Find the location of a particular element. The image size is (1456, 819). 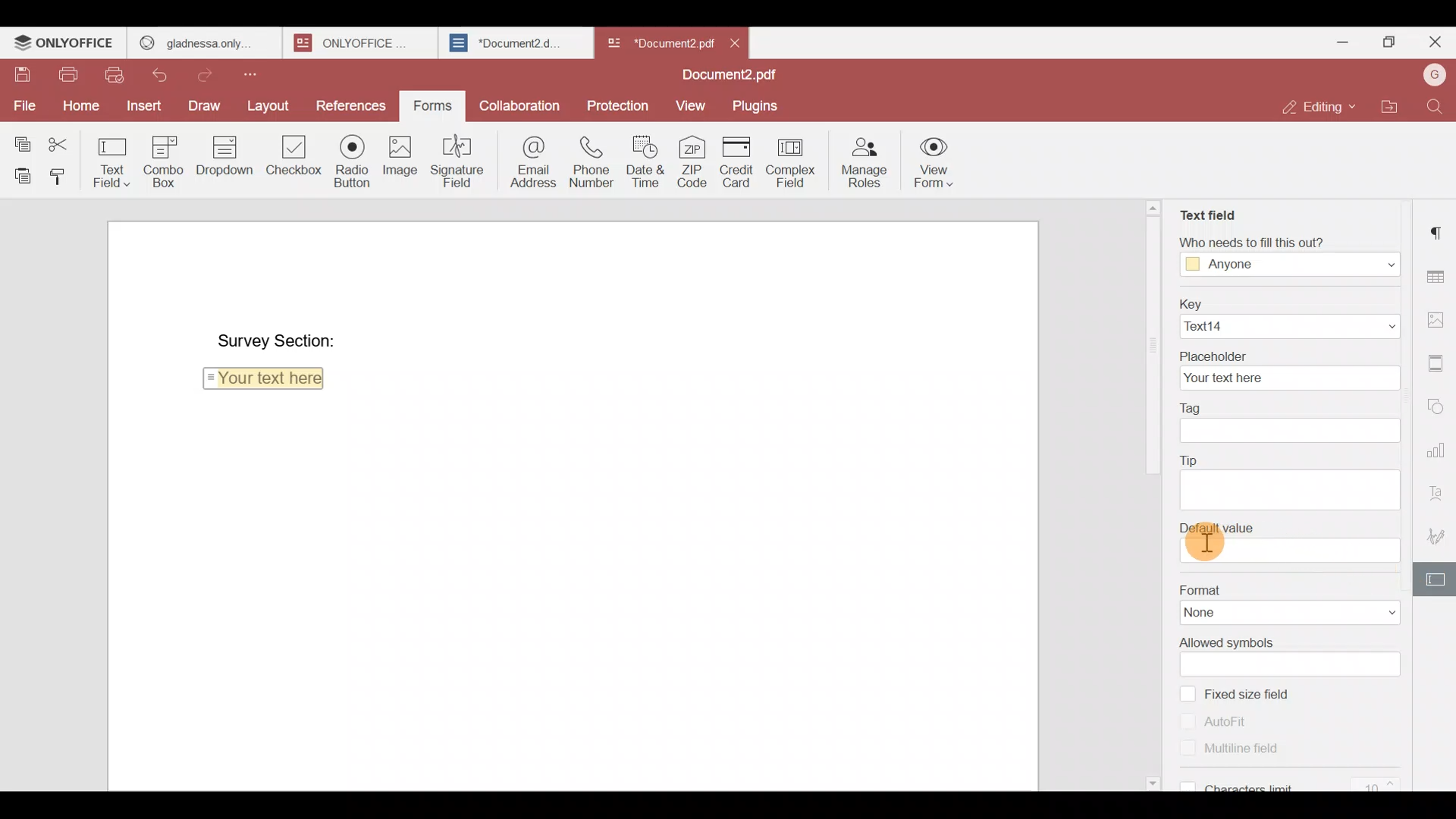

Open file location is located at coordinates (1396, 108).